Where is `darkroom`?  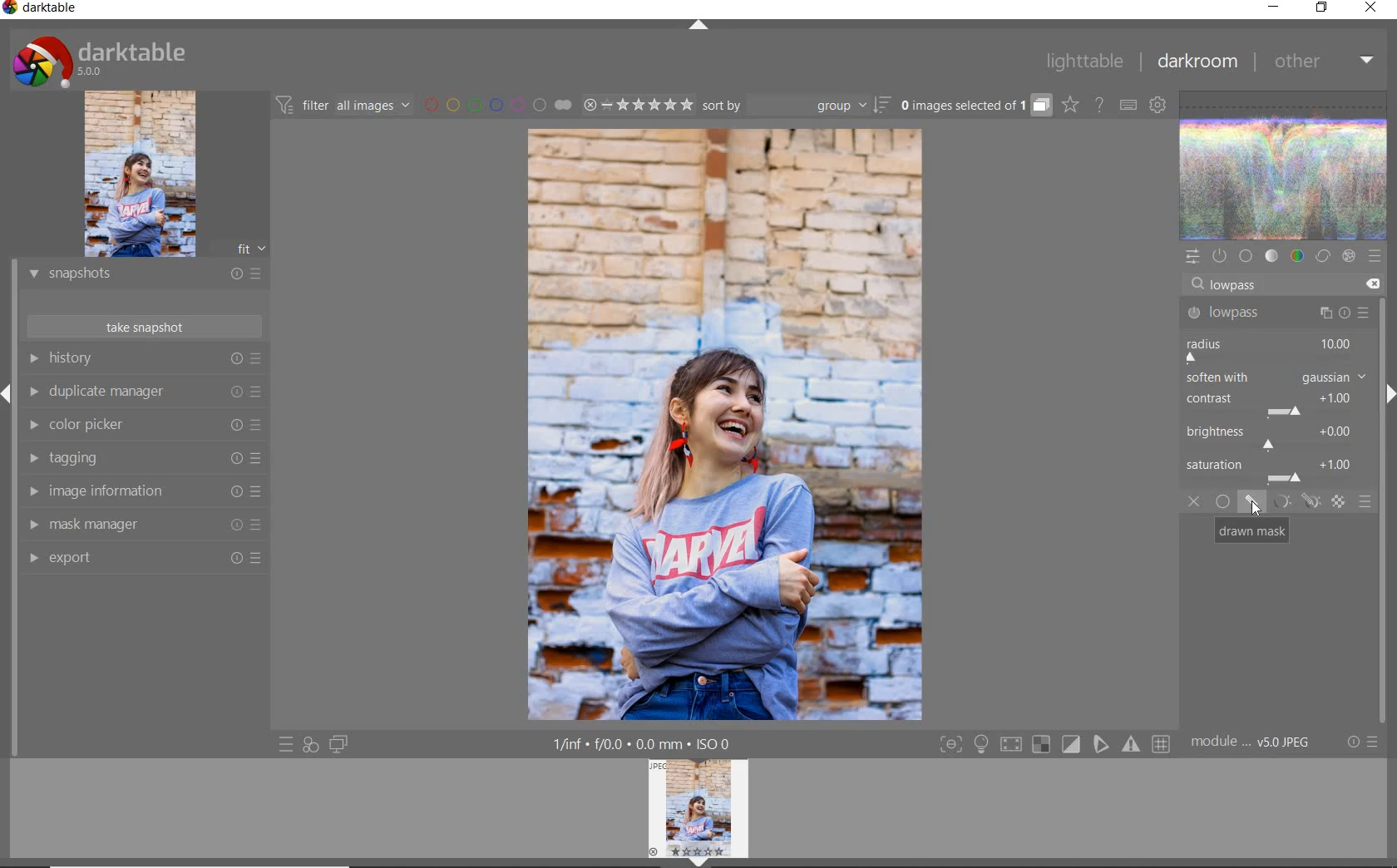 darkroom is located at coordinates (1197, 62).